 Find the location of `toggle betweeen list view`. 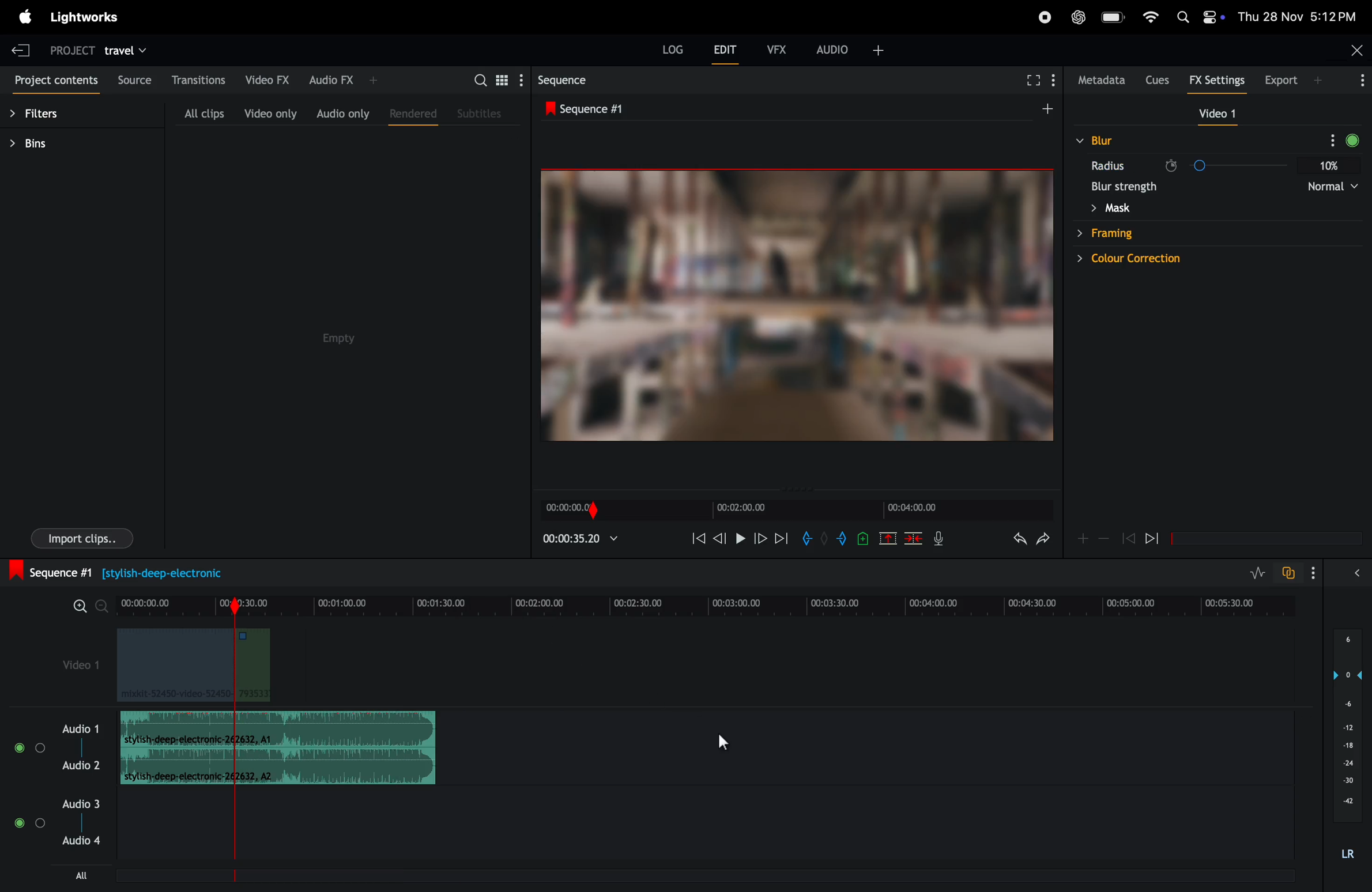

toggle betweeen list view is located at coordinates (503, 80).